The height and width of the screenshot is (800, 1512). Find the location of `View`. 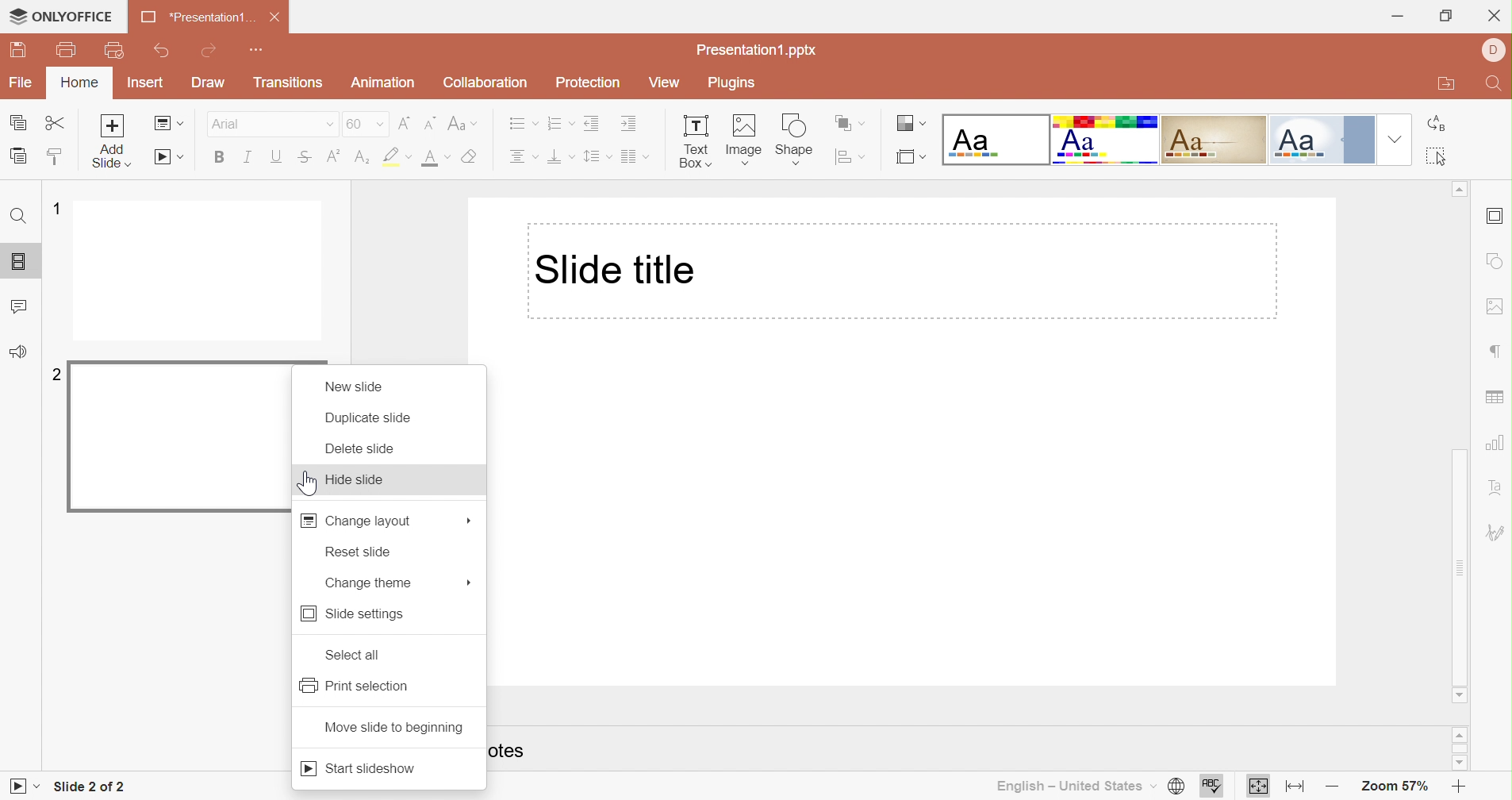

View is located at coordinates (663, 83).